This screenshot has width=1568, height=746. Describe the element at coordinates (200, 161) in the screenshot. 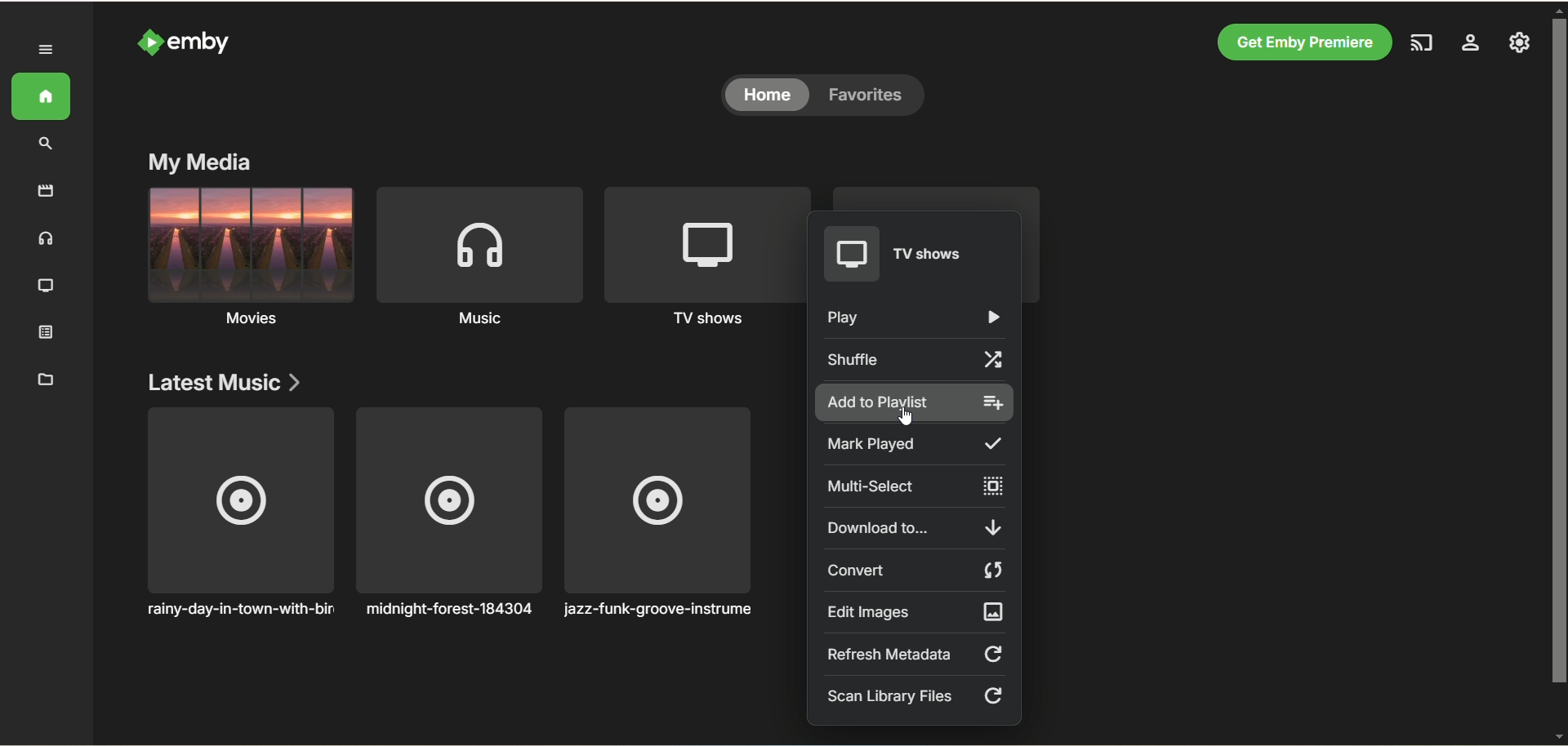

I see `my media` at that location.